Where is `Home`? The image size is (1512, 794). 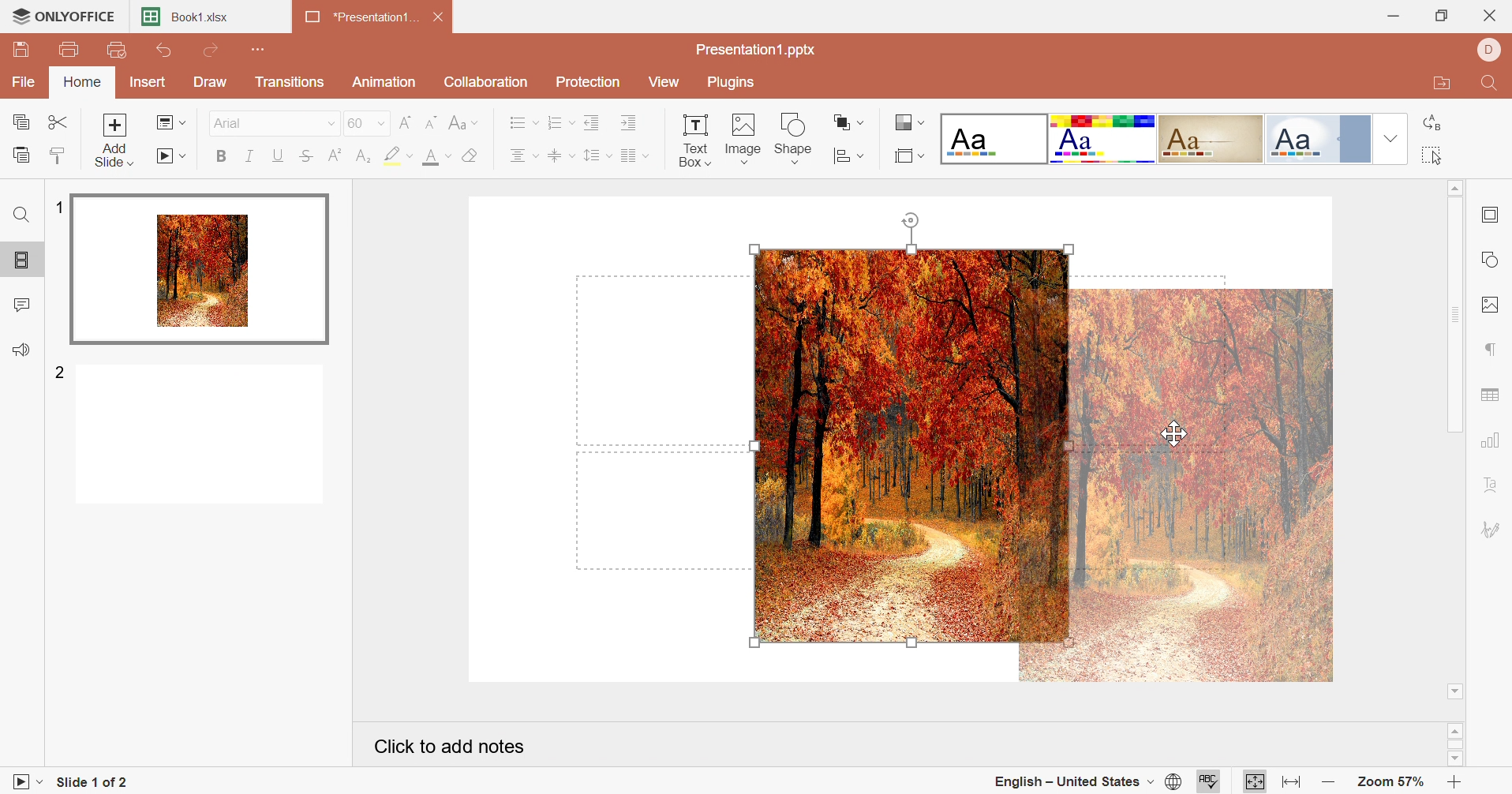 Home is located at coordinates (83, 83).